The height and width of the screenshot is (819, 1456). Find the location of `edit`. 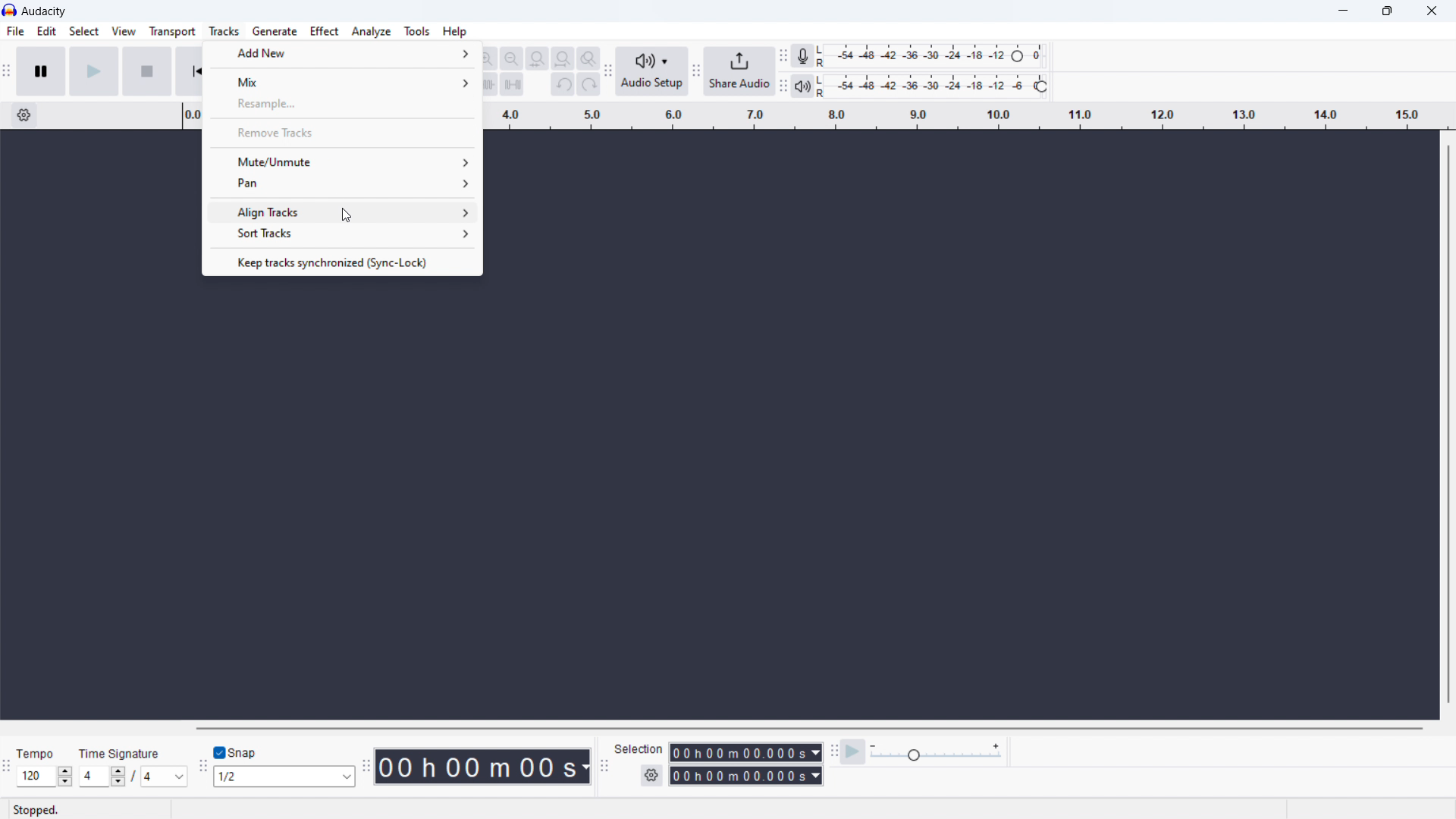

edit is located at coordinates (47, 32).